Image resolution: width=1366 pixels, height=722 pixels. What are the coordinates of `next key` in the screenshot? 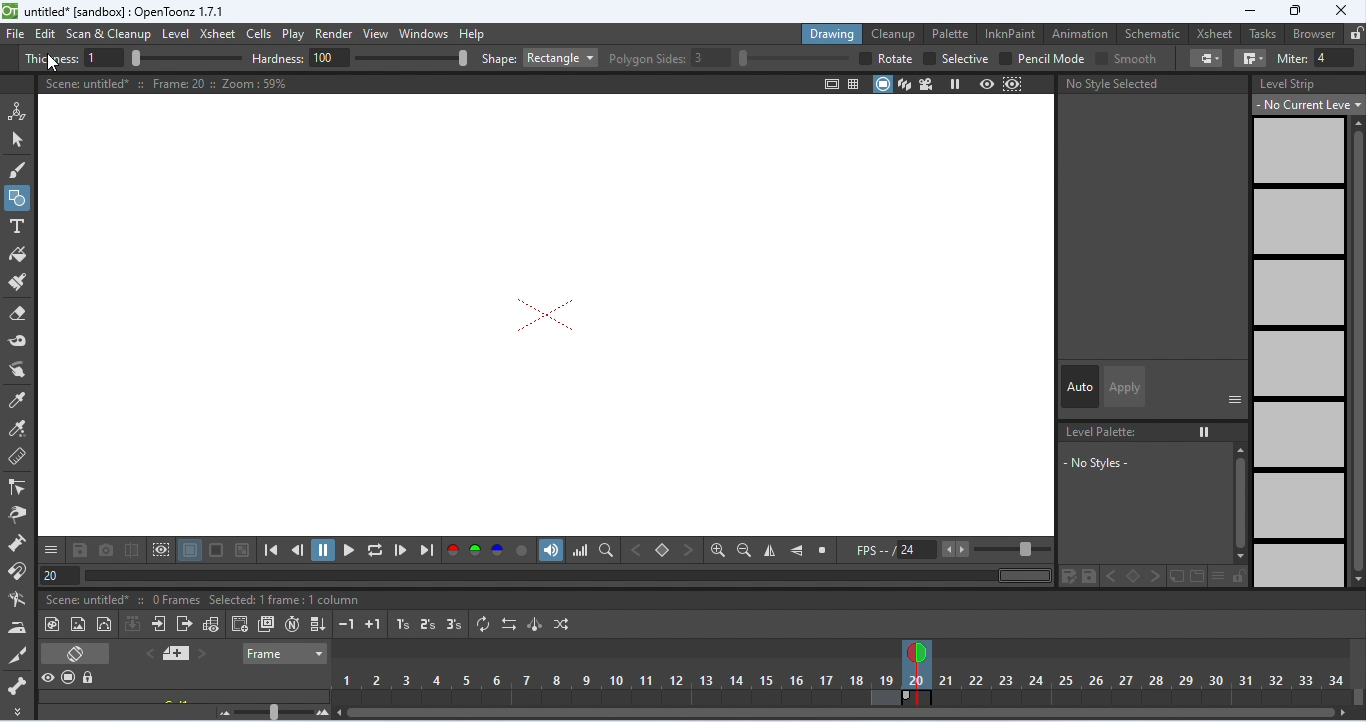 It's located at (688, 549).